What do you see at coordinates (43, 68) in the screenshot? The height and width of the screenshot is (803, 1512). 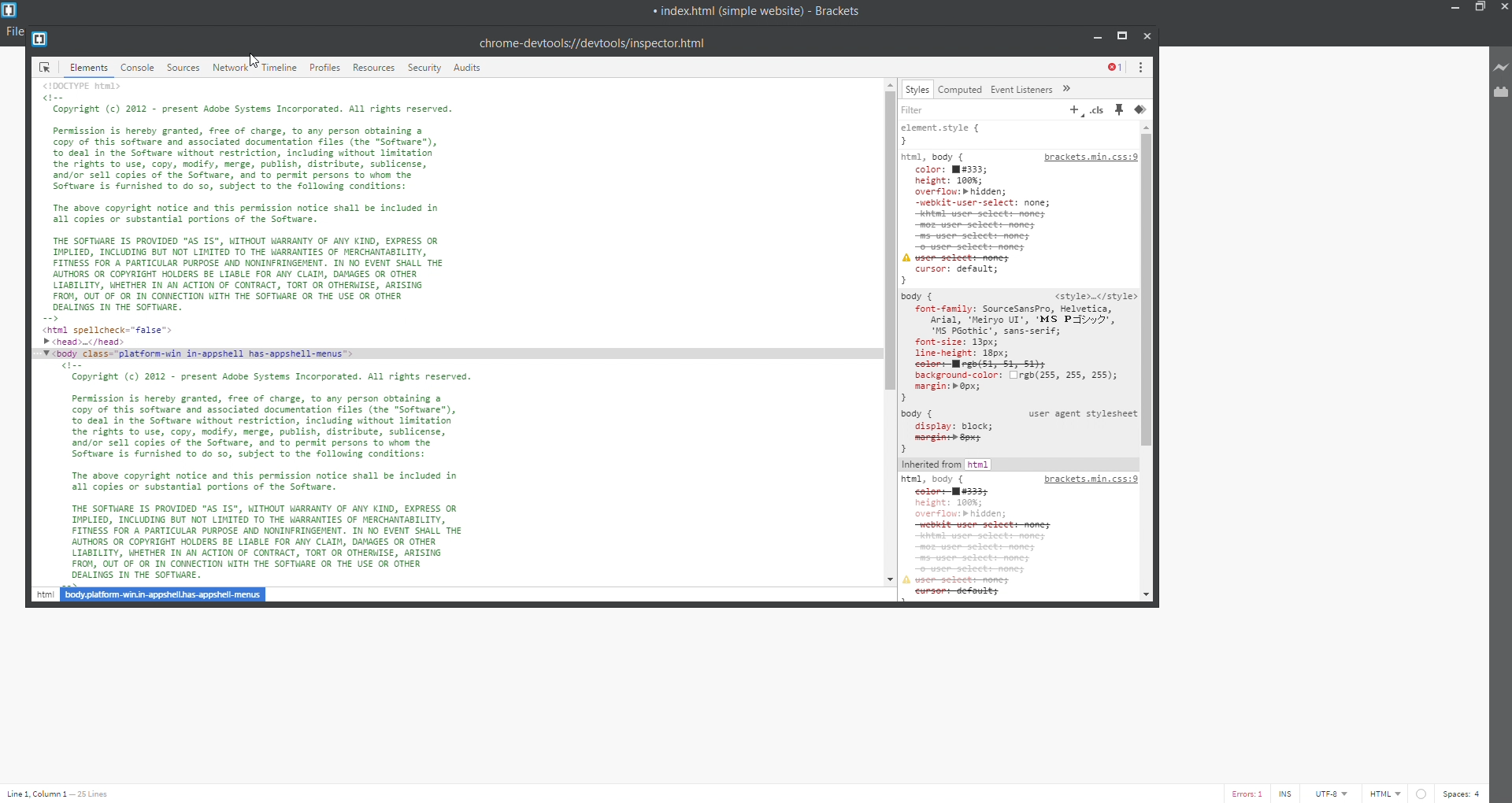 I see `icon` at bounding box center [43, 68].